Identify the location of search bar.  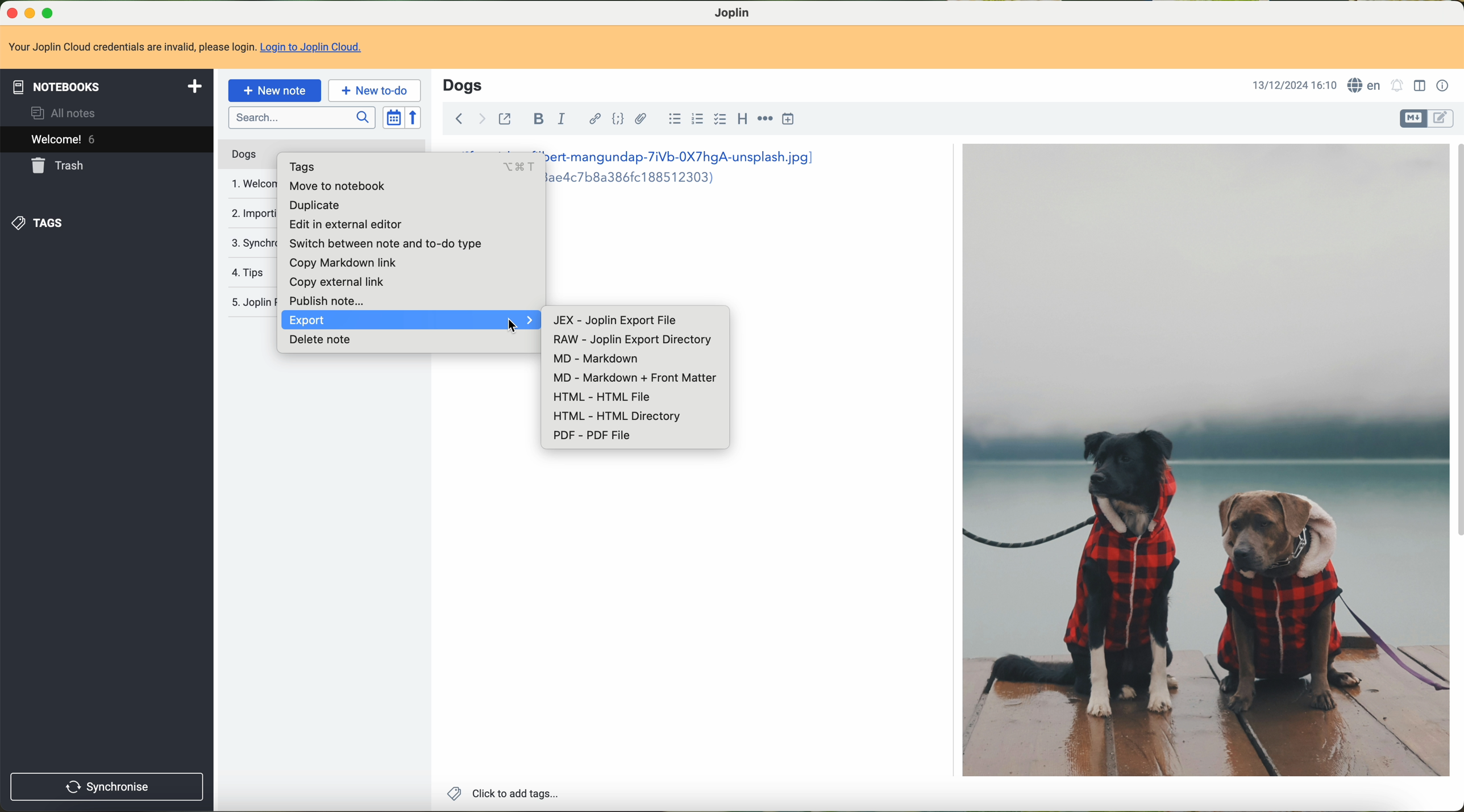
(302, 118).